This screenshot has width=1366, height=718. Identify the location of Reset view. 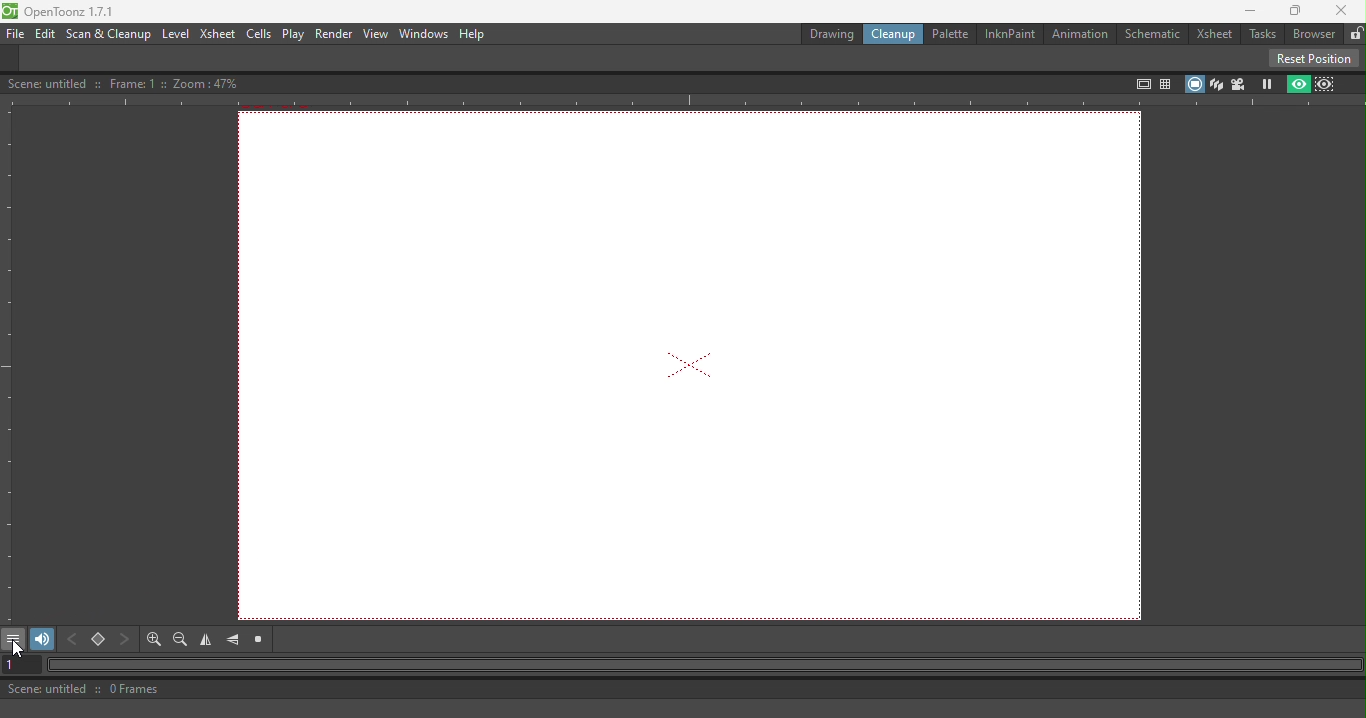
(256, 640).